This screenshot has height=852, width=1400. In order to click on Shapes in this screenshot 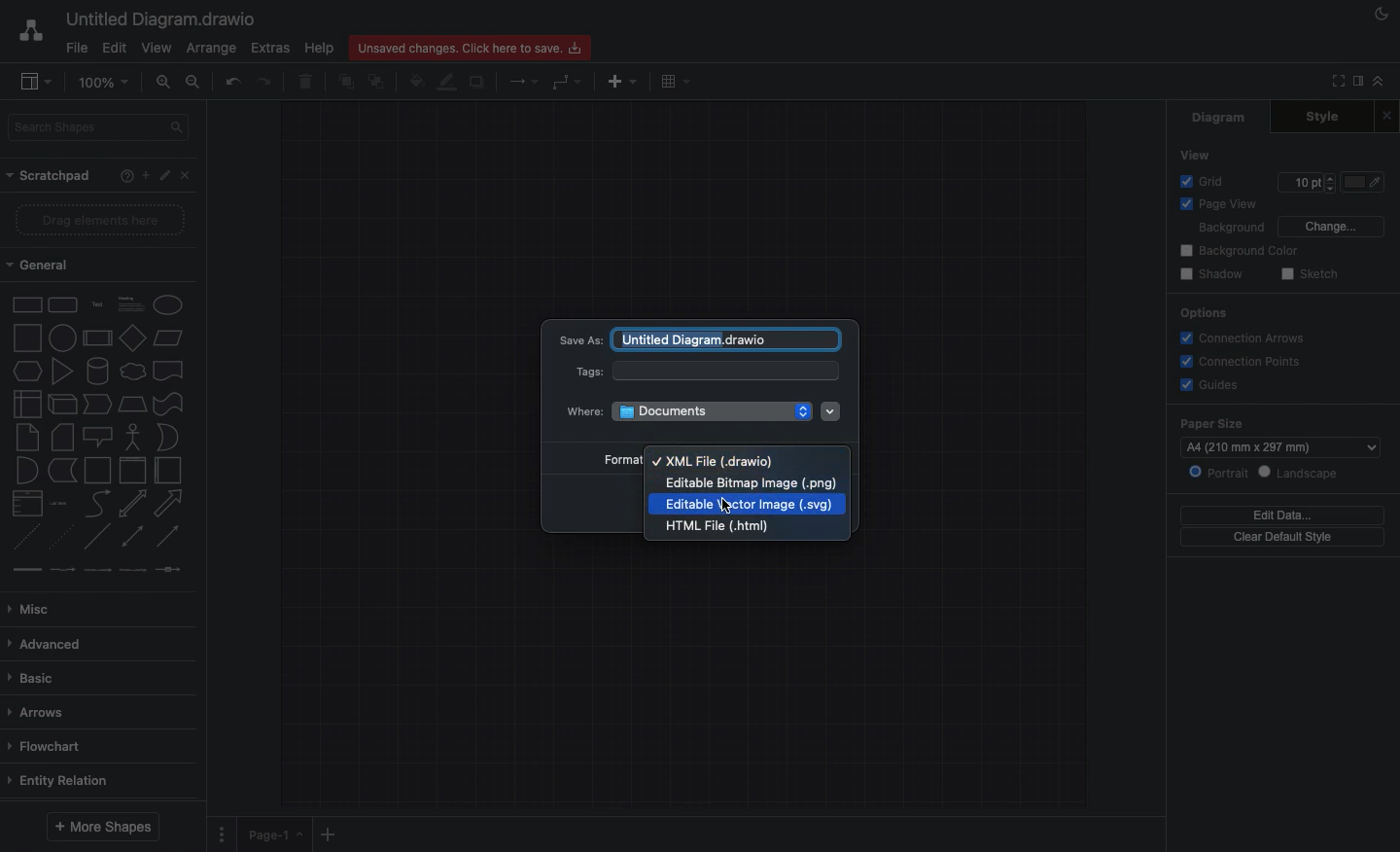, I will do `click(99, 434)`.